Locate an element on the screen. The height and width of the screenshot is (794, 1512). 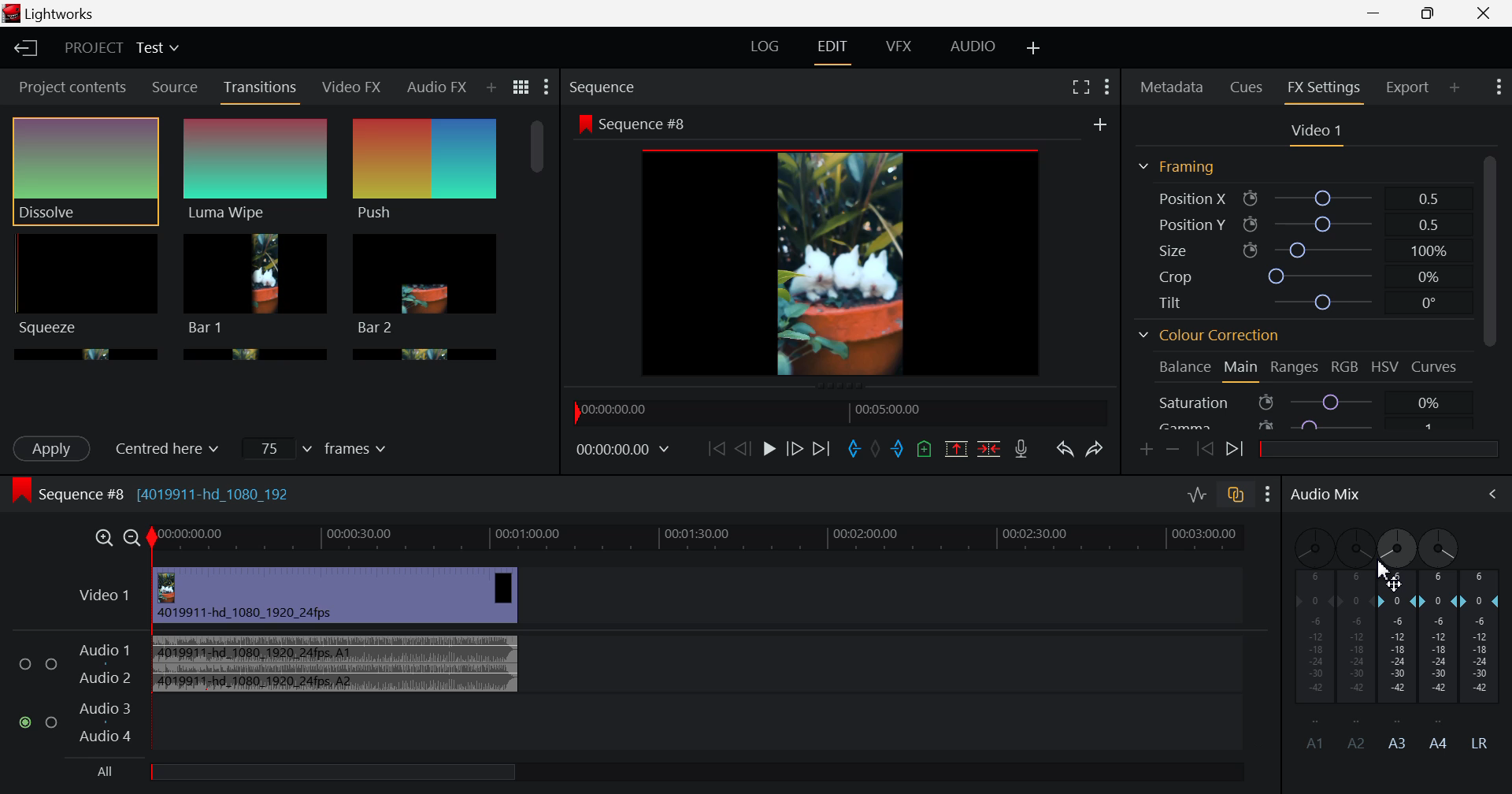
Frames Input is located at coordinates (318, 447).